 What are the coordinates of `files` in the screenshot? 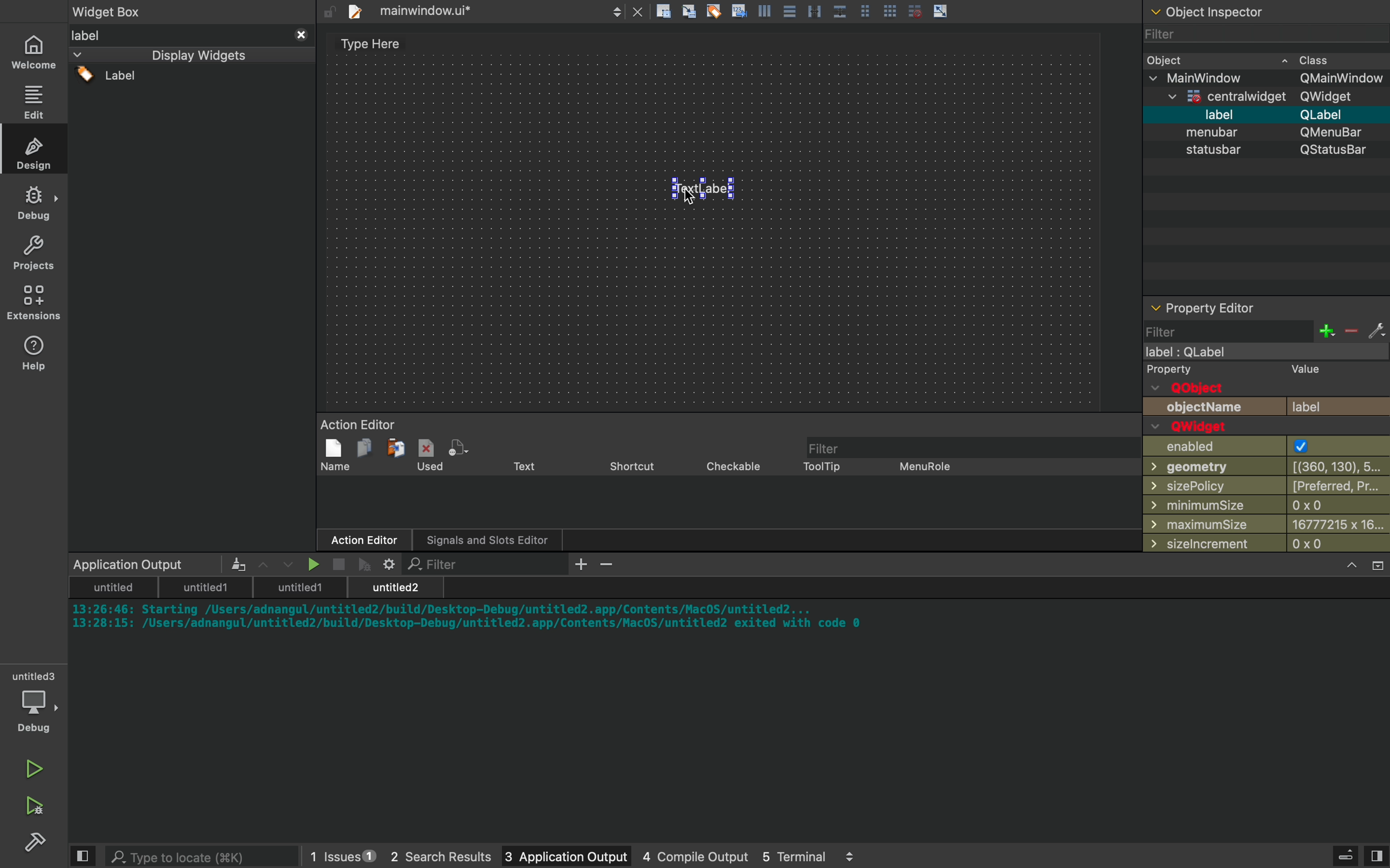 It's located at (473, 10).